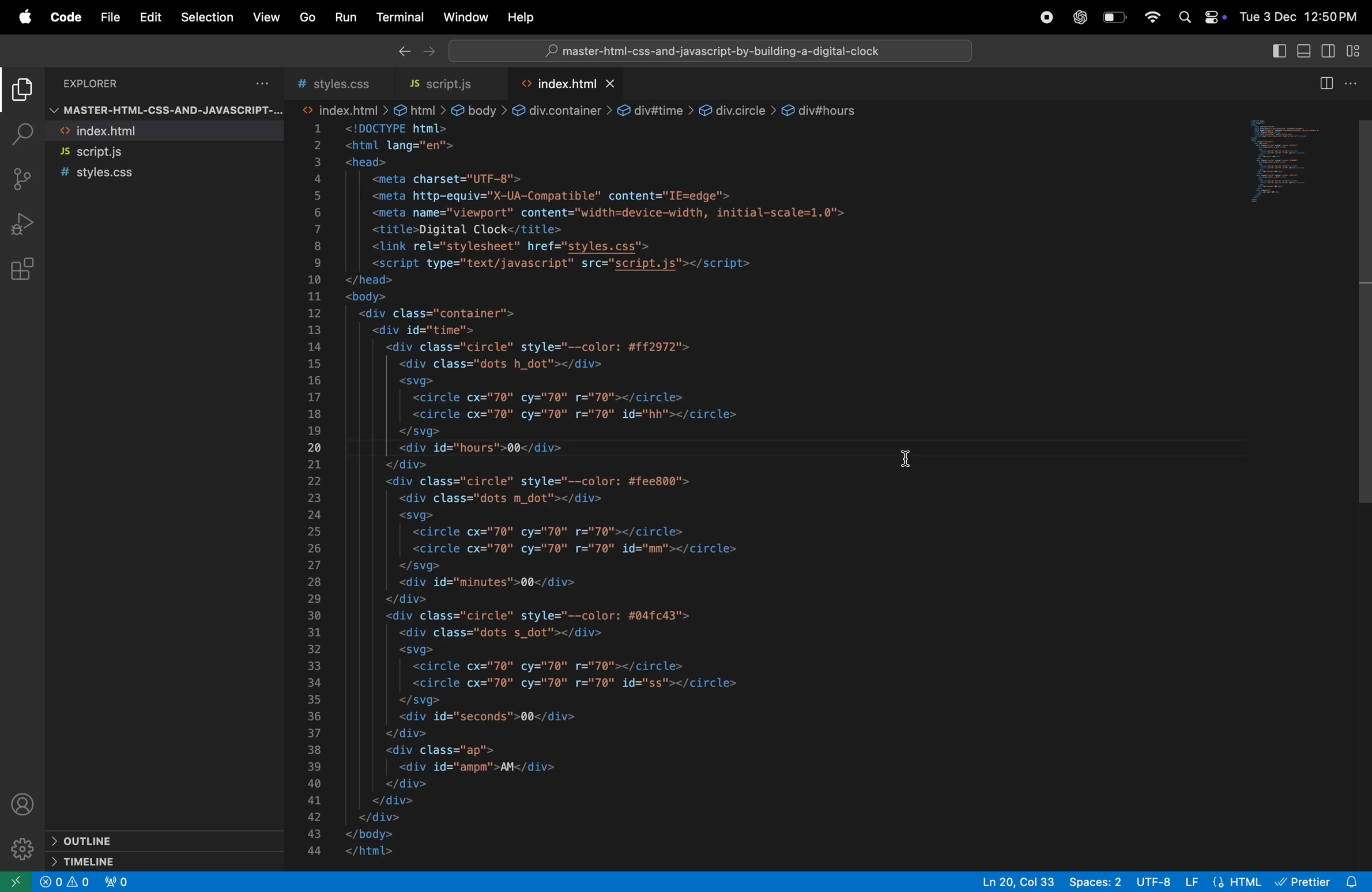 This screenshot has width=1372, height=892. I want to click on style.css, so click(166, 174).